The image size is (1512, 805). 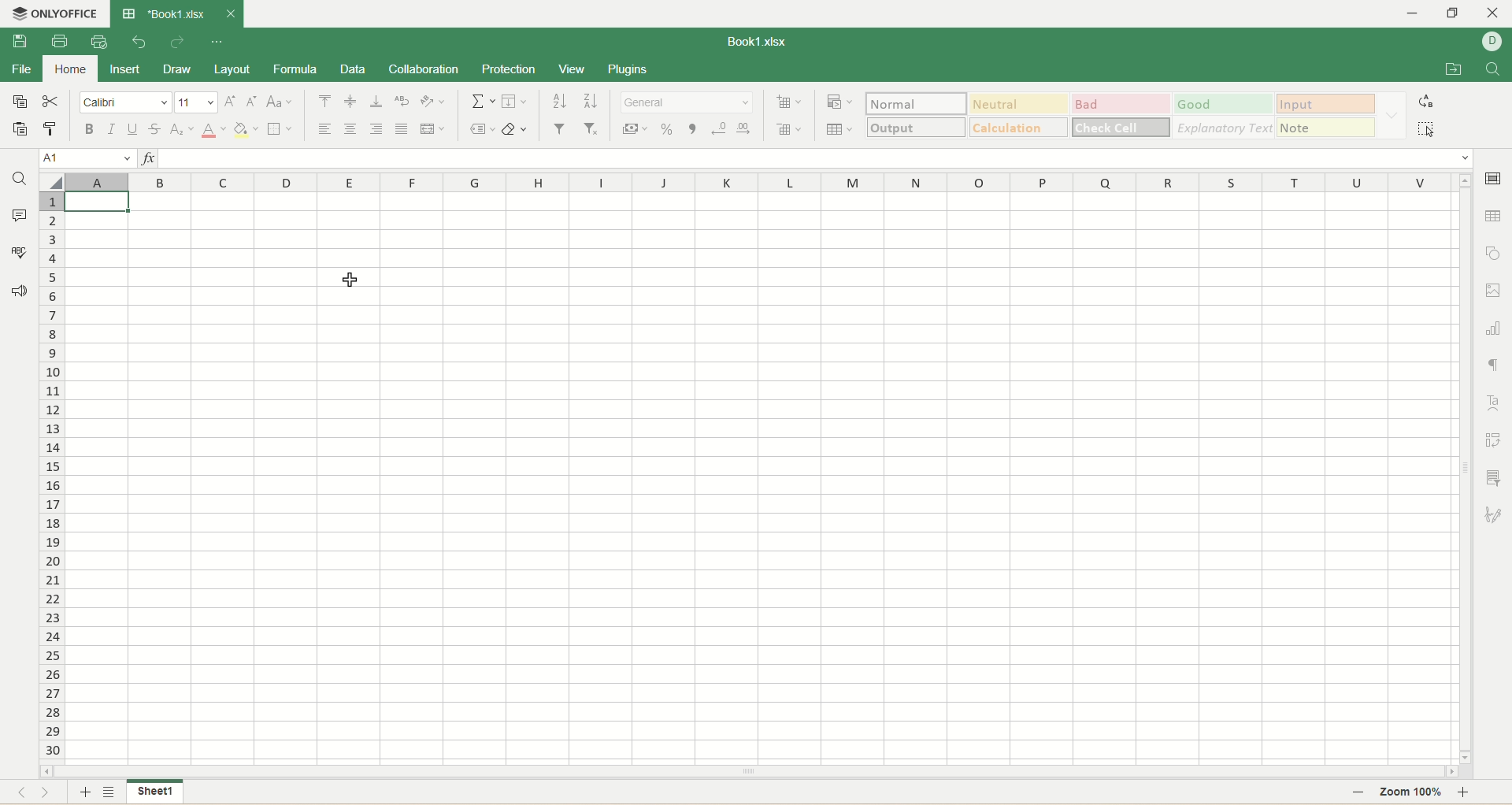 I want to click on conditional formatting, so click(x=837, y=103).